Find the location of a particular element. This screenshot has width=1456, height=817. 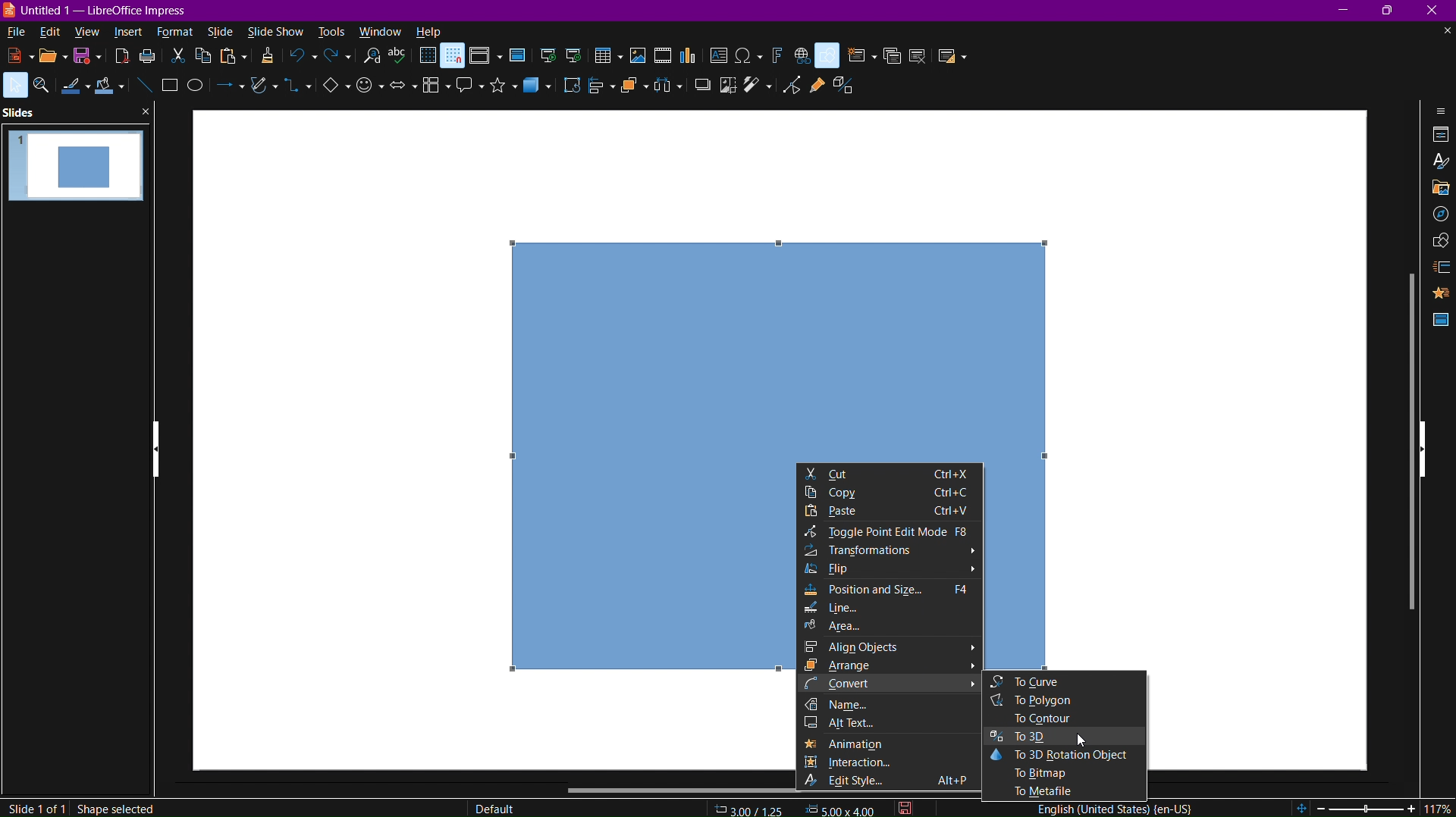

3D objects is located at coordinates (542, 92).